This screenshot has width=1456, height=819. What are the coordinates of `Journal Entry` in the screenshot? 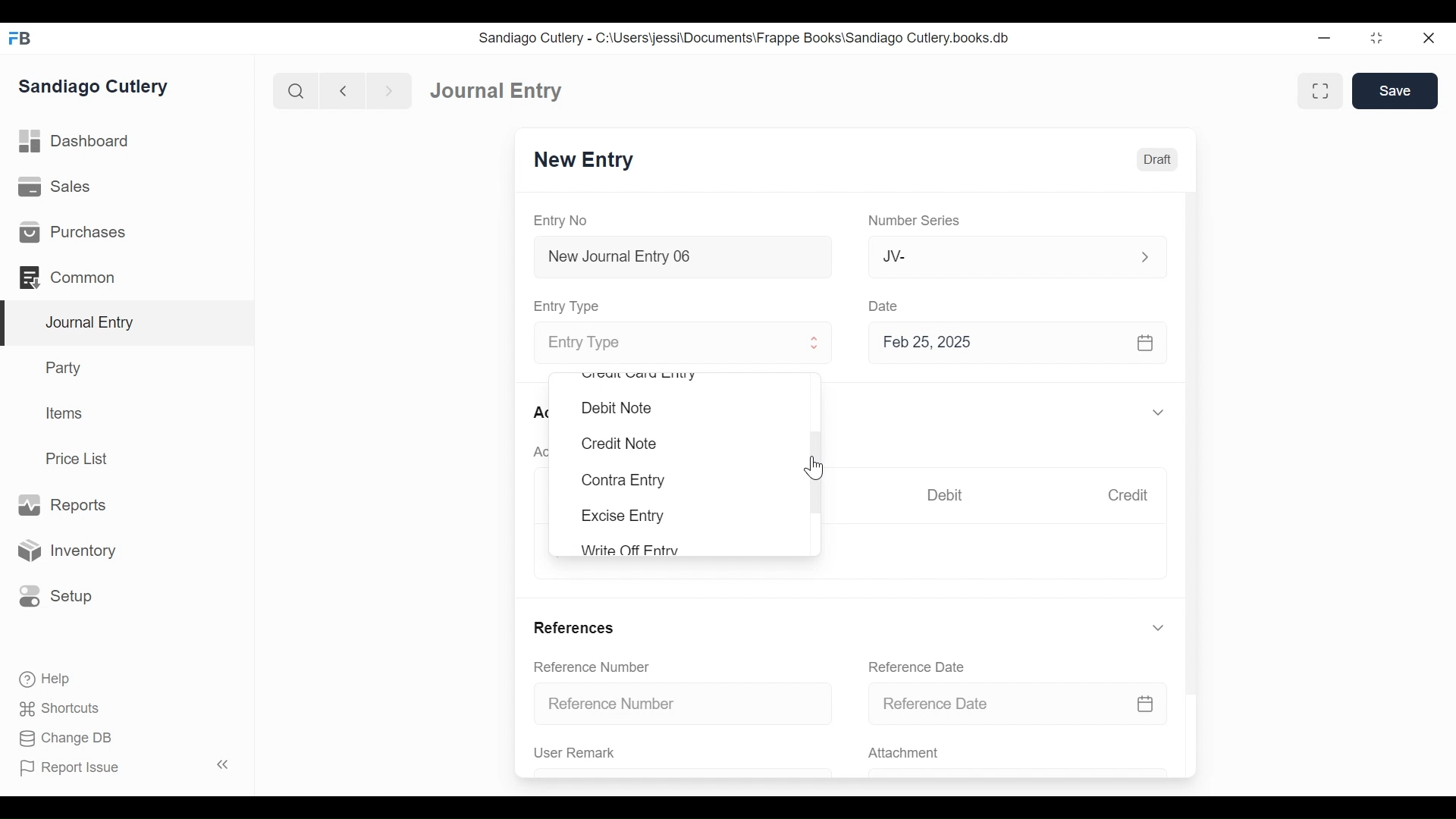 It's located at (497, 89).